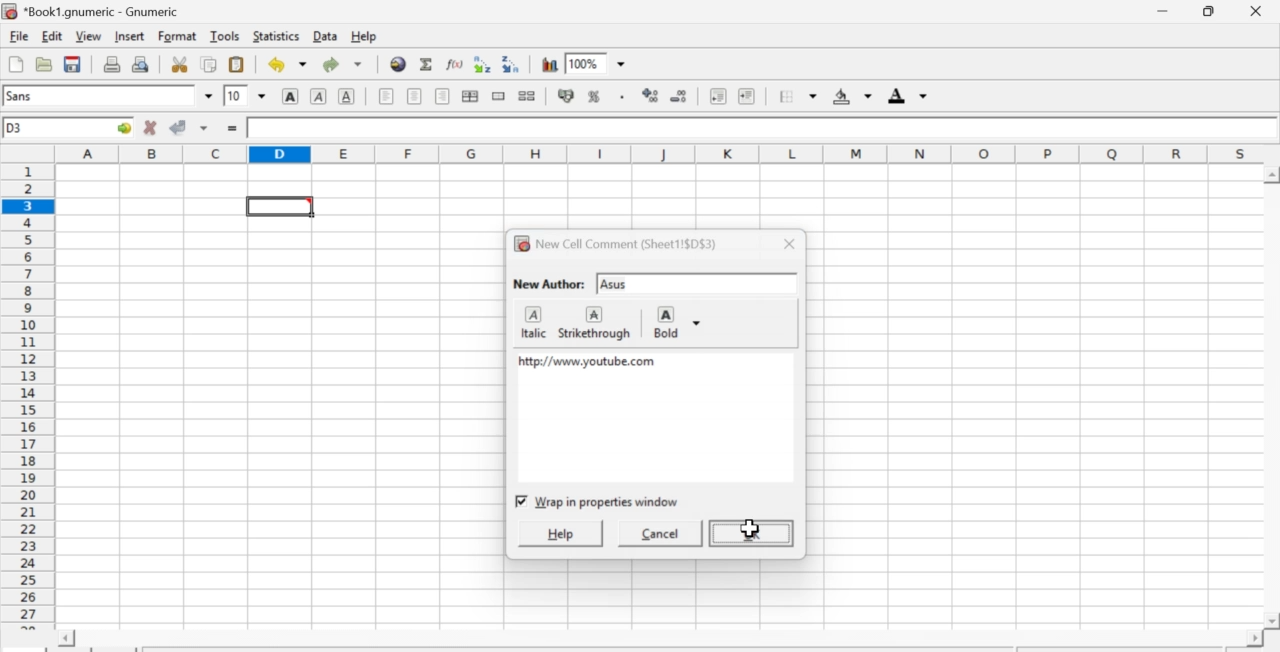 This screenshot has height=652, width=1280. Describe the element at coordinates (651, 95) in the screenshot. I see `Increase number of decimals` at that location.